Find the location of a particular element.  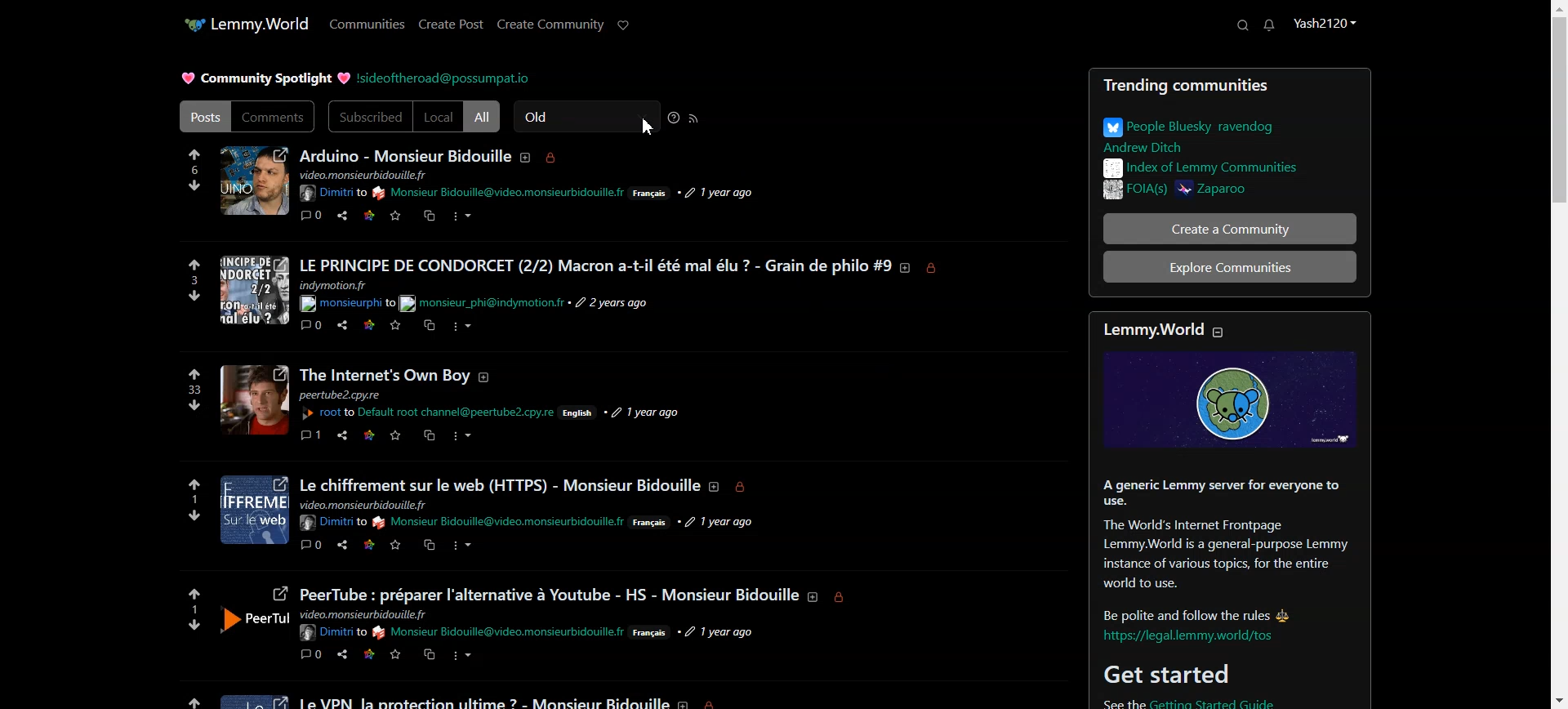

 is located at coordinates (651, 521).